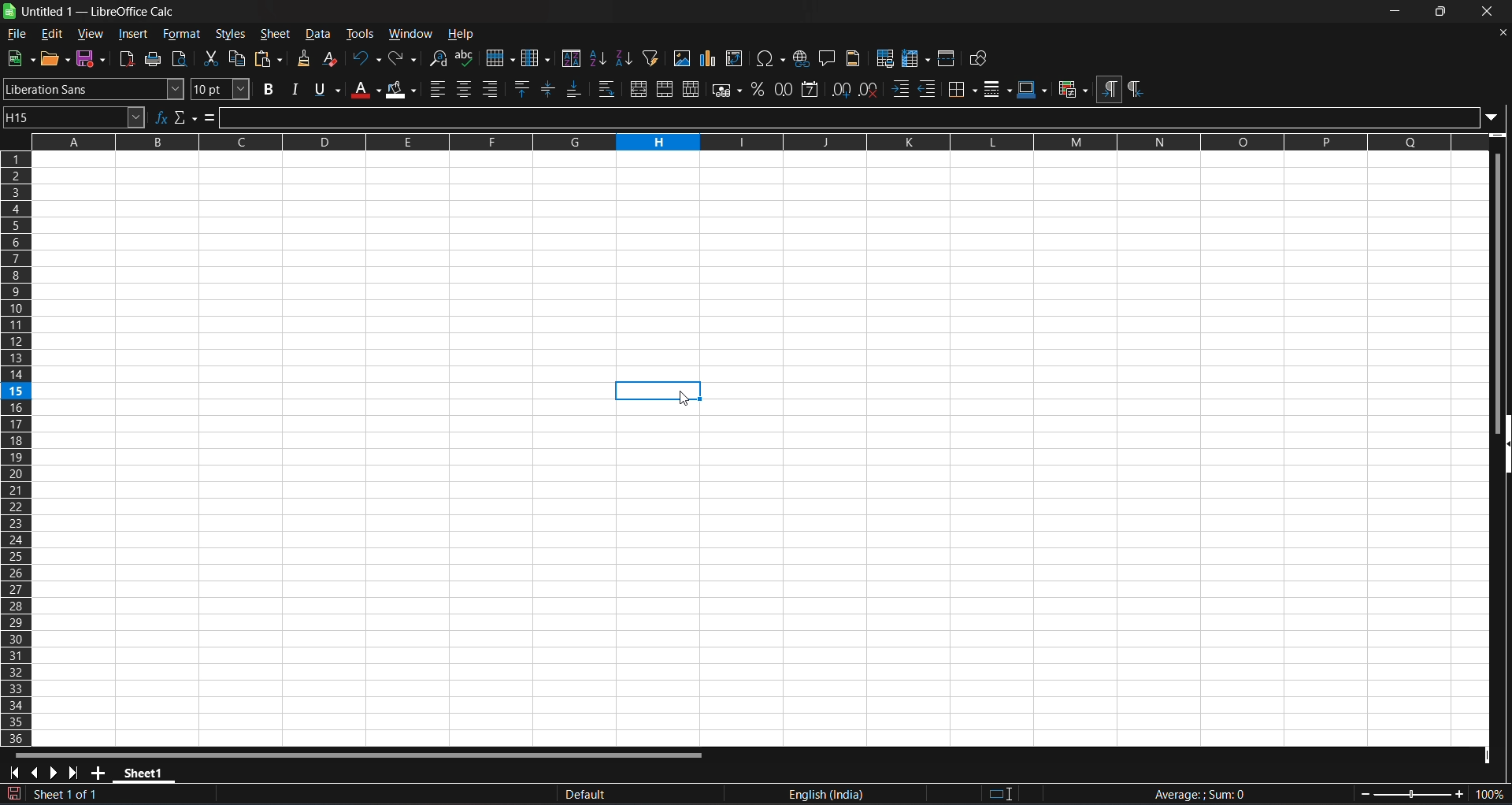 This screenshot has width=1512, height=805. I want to click on format, so click(184, 35).